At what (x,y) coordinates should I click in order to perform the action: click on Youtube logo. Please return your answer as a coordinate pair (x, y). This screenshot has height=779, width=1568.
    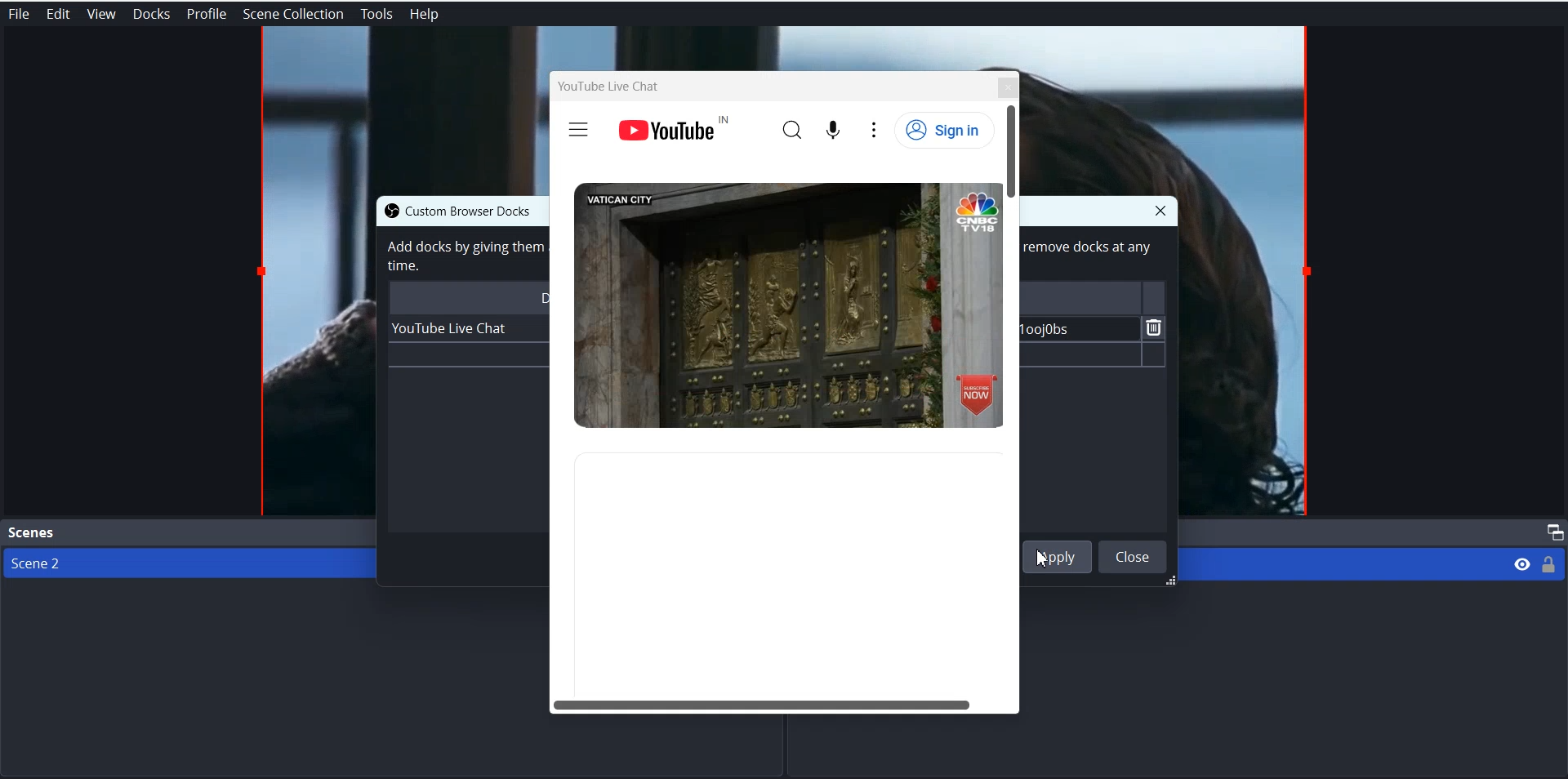
    Looking at the image, I should click on (673, 127).